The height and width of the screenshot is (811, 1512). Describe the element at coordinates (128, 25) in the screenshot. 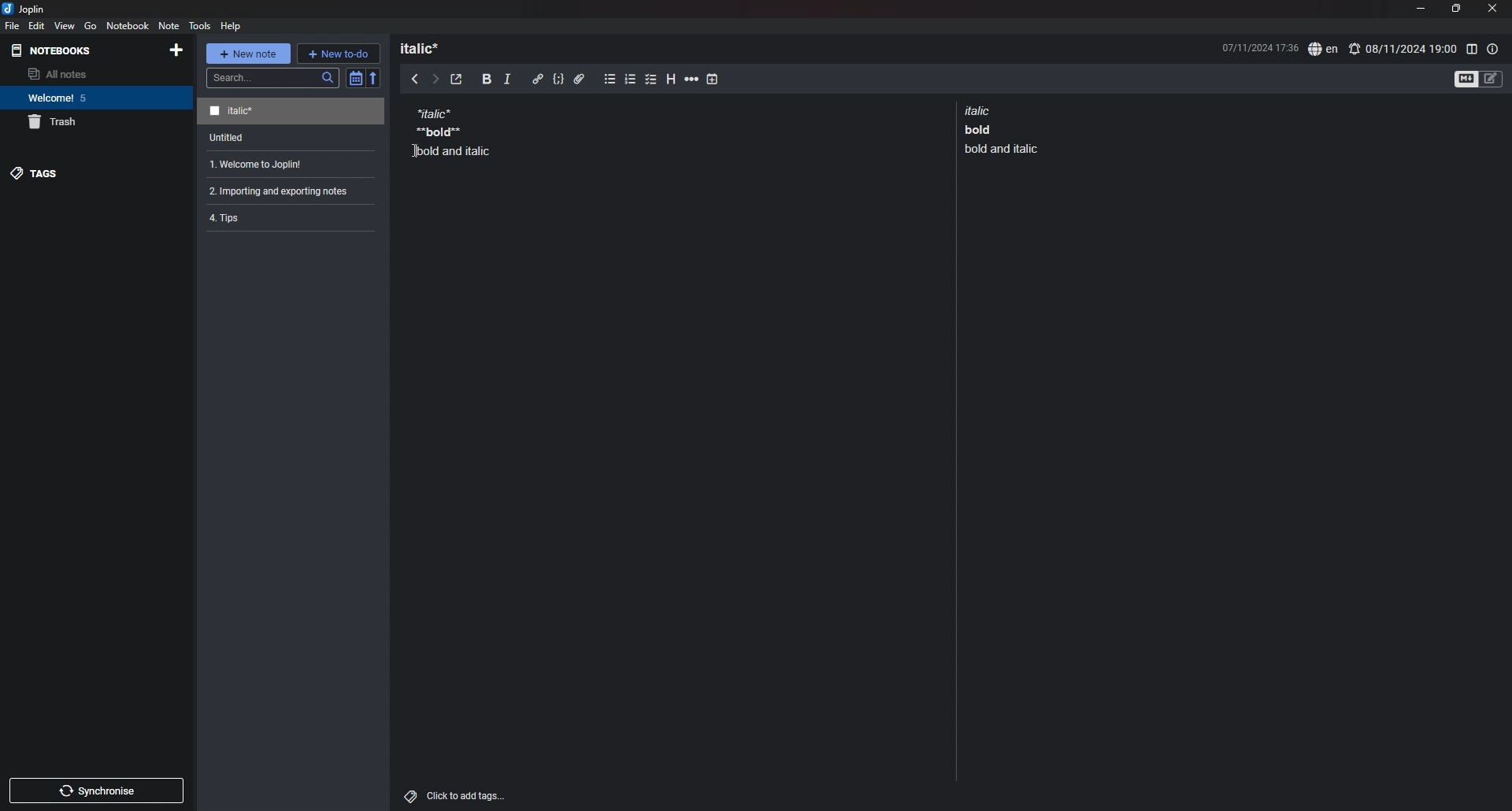

I see `notebook` at that location.